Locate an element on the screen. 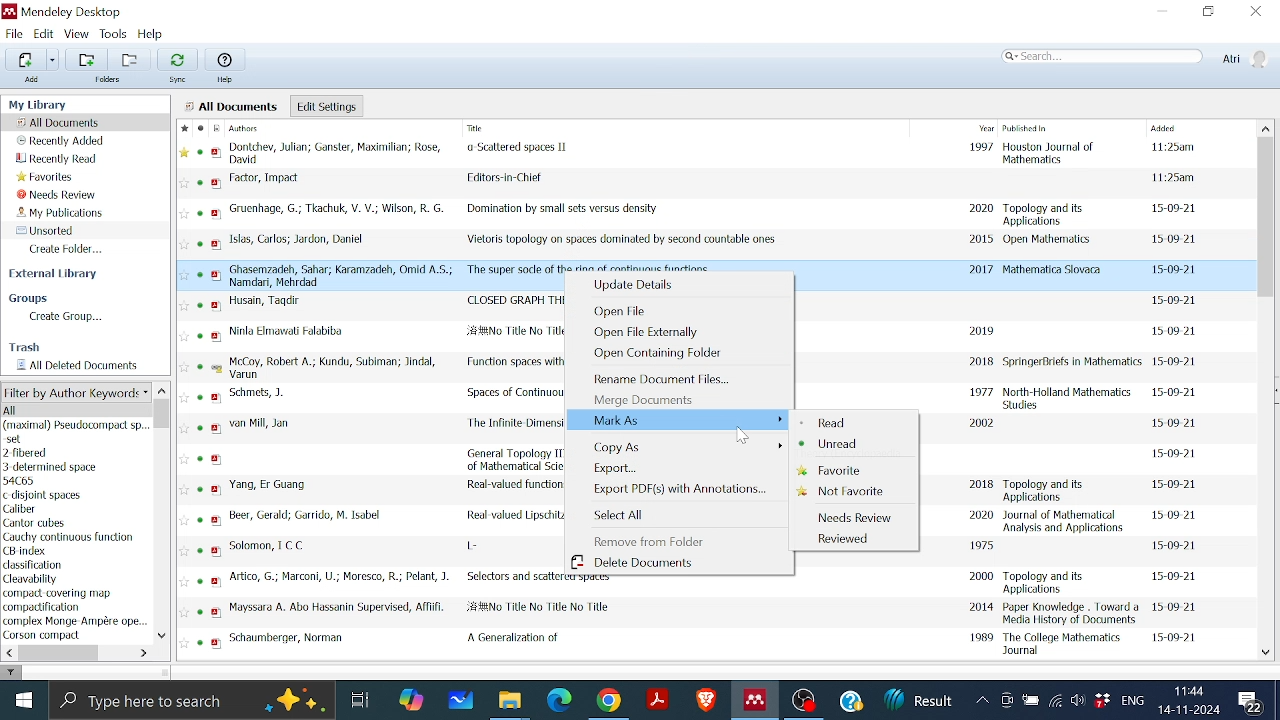  A Generation of is located at coordinates (706, 640).